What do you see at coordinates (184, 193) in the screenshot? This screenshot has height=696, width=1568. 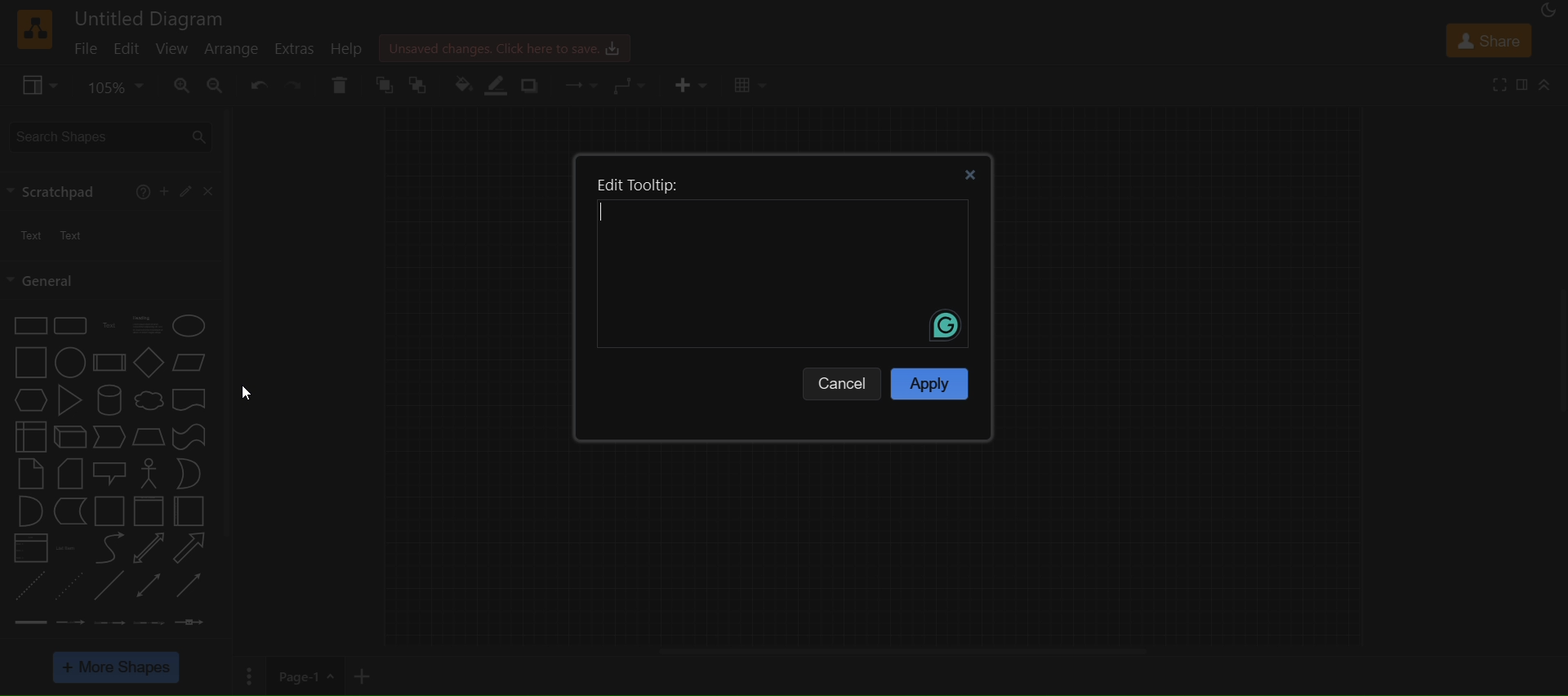 I see `edit` at bounding box center [184, 193].